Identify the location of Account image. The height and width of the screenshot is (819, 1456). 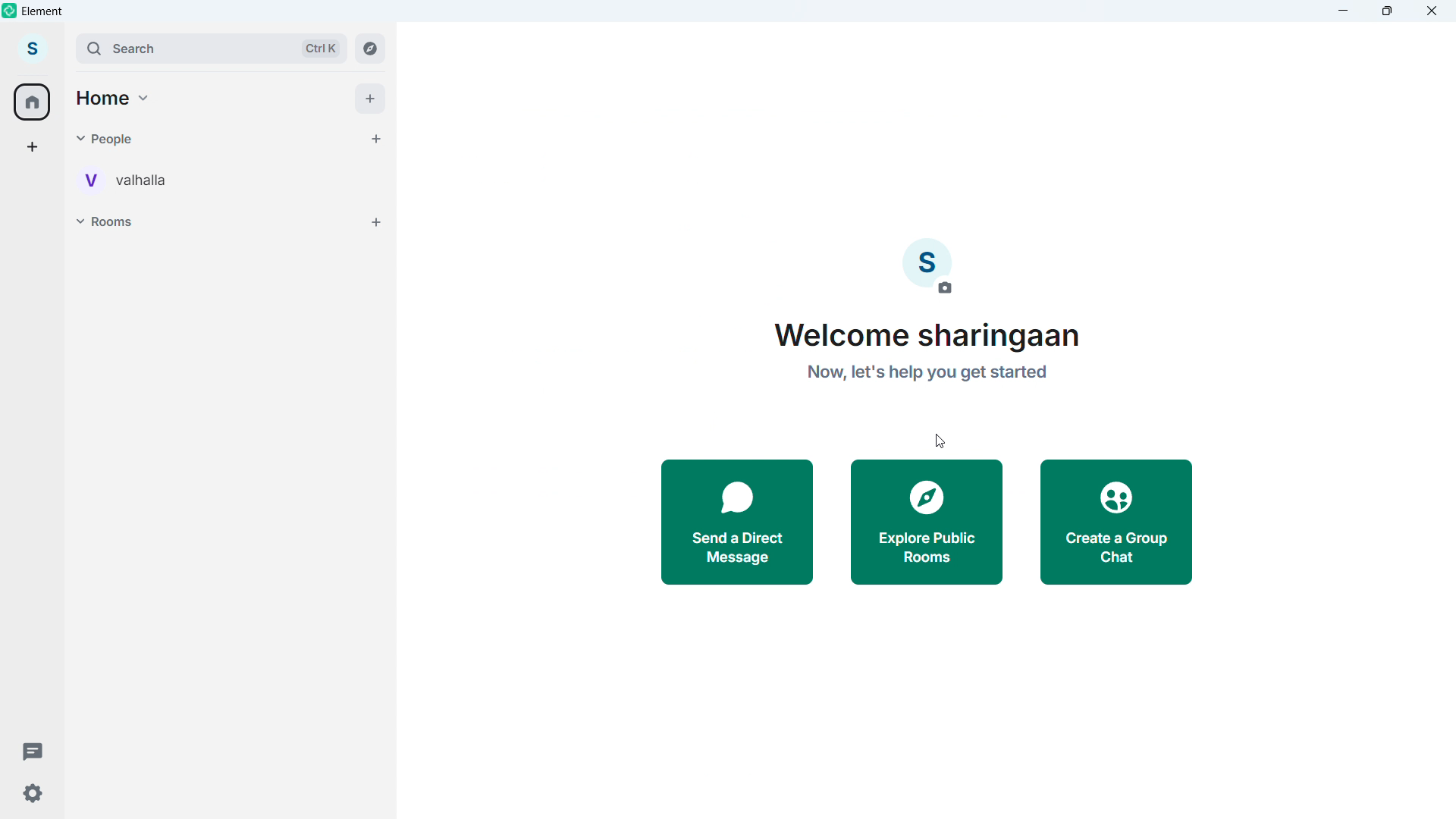
(927, 267).